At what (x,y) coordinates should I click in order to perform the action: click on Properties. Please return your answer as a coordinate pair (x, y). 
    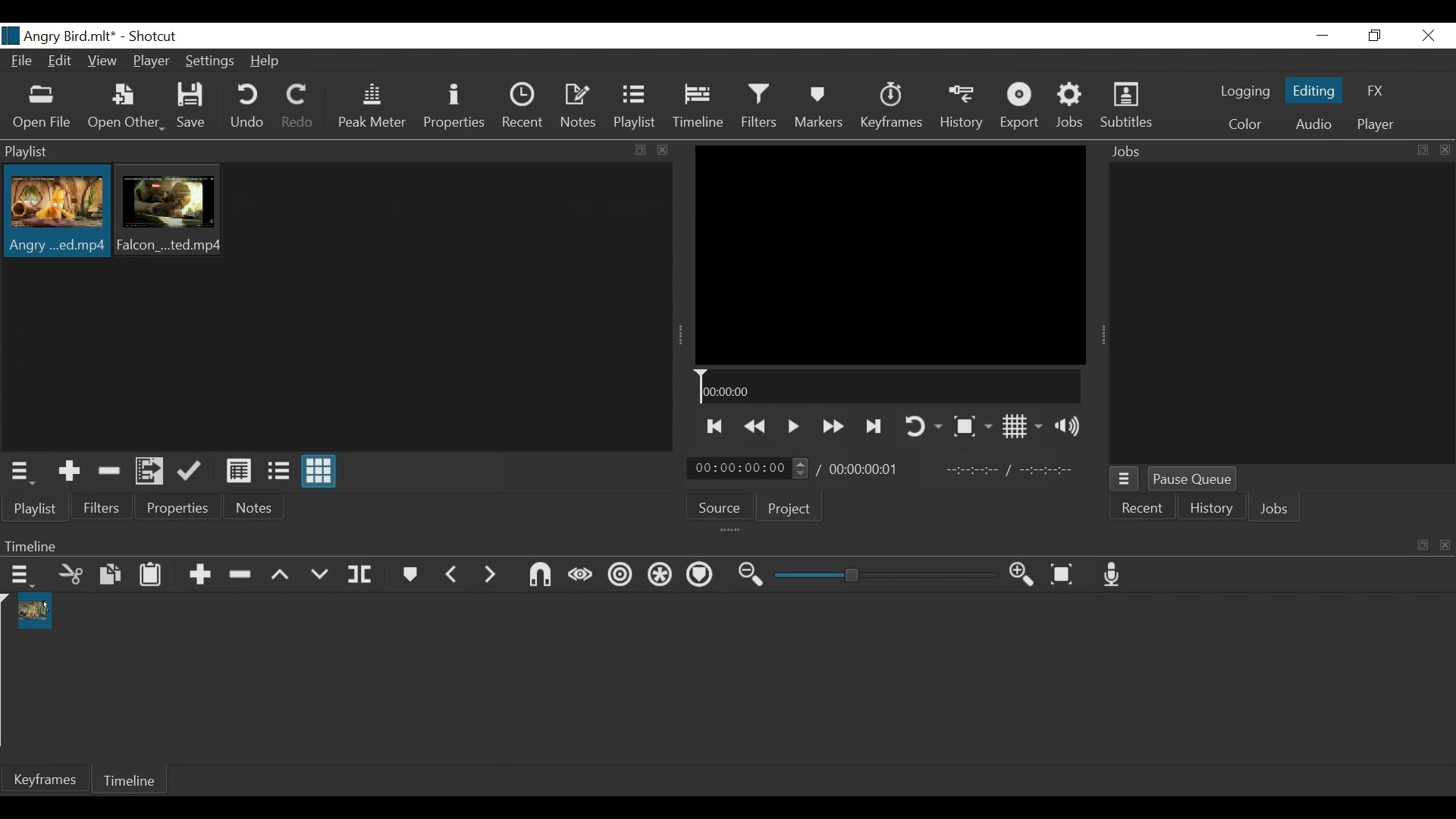
    Looking at the image, I should click on (454, 108).